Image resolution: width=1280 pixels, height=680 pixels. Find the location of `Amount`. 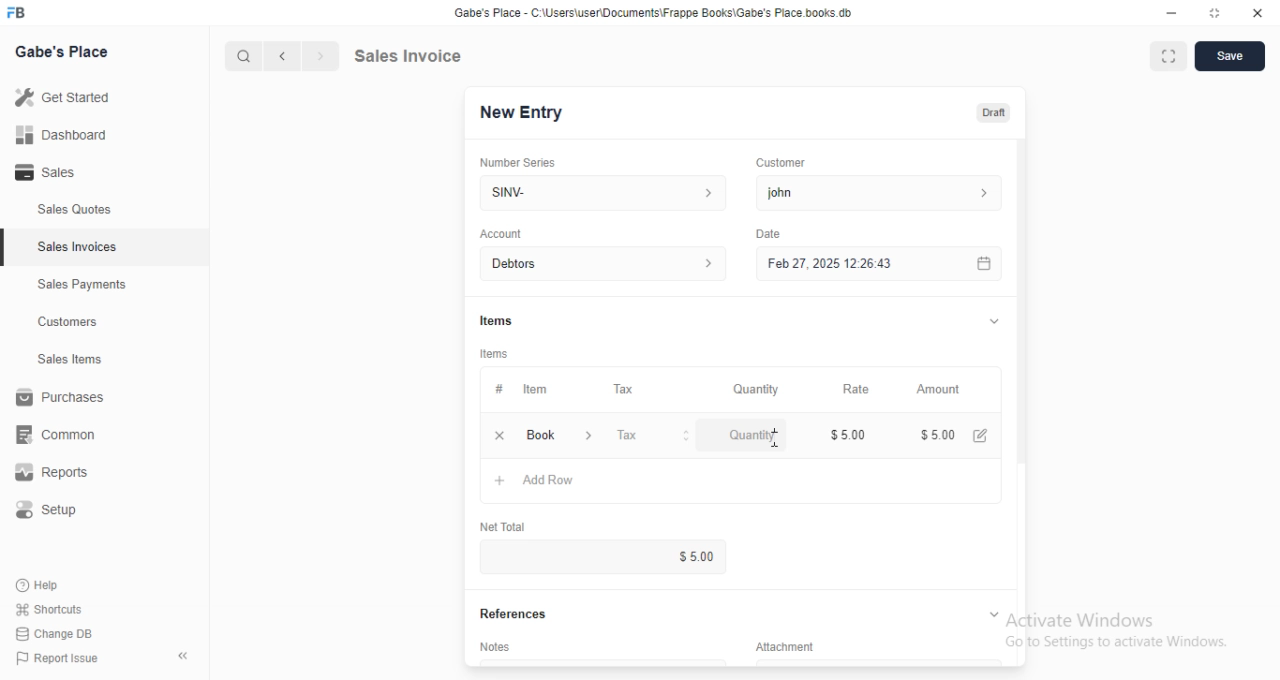

Amount is located at coordinates (943, 390).